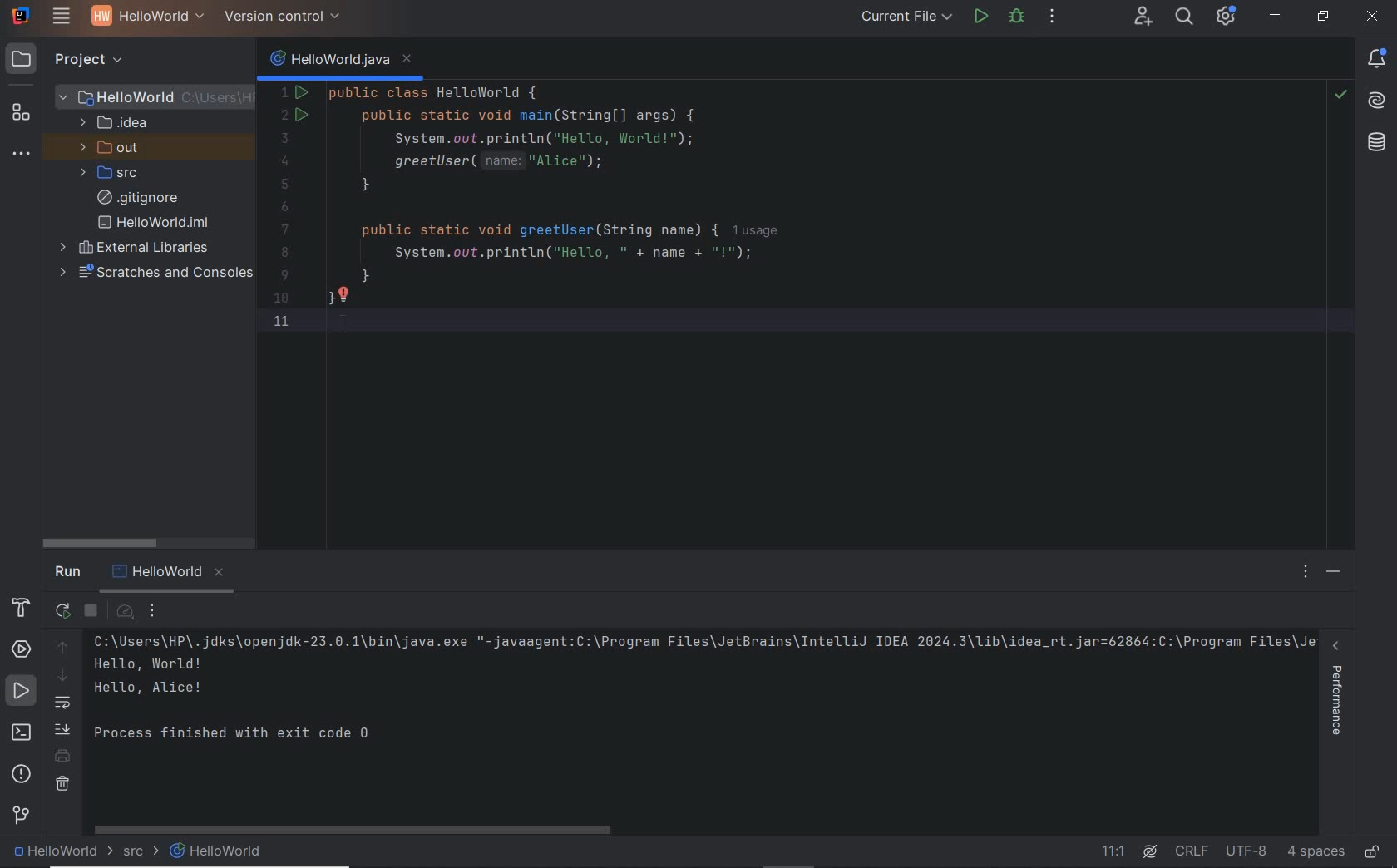  Describe the element at coordinates (1053, 20) in the screenshot. I see `more actions` at that location.